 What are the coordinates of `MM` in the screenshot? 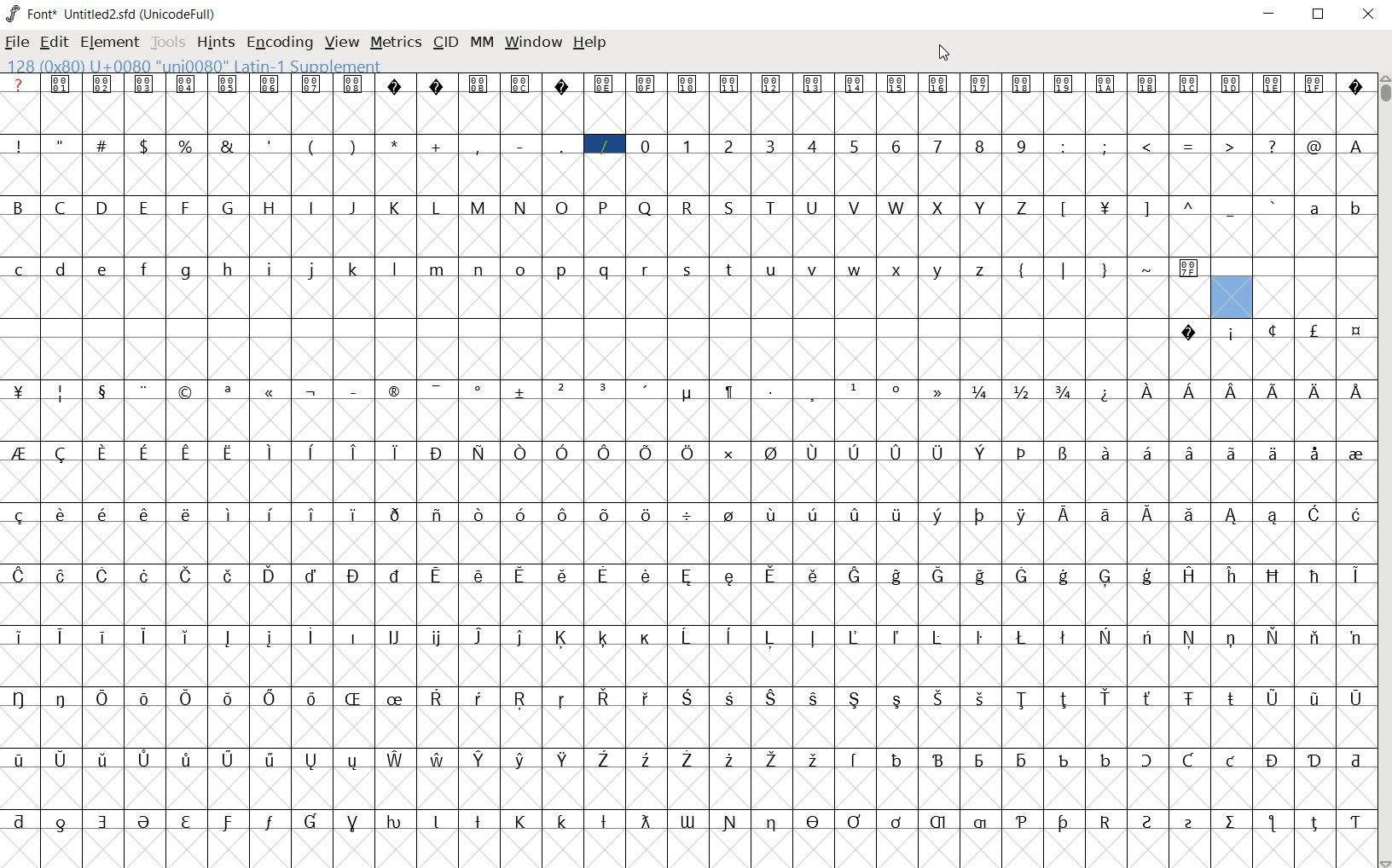 It's located at (480, 42).